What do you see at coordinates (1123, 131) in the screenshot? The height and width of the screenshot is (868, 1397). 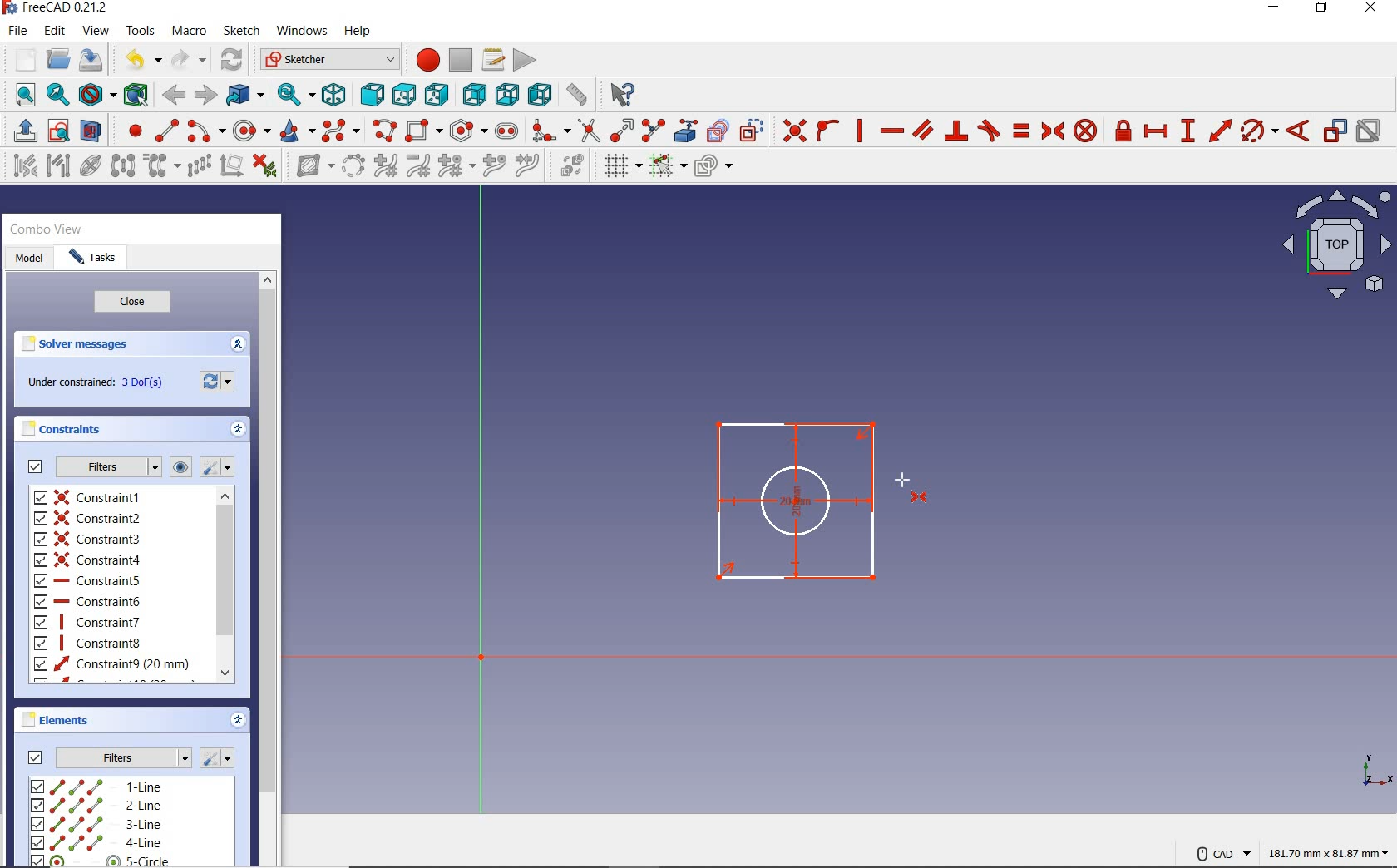 I see `constrain lock` at bounding box center [1123, 131].